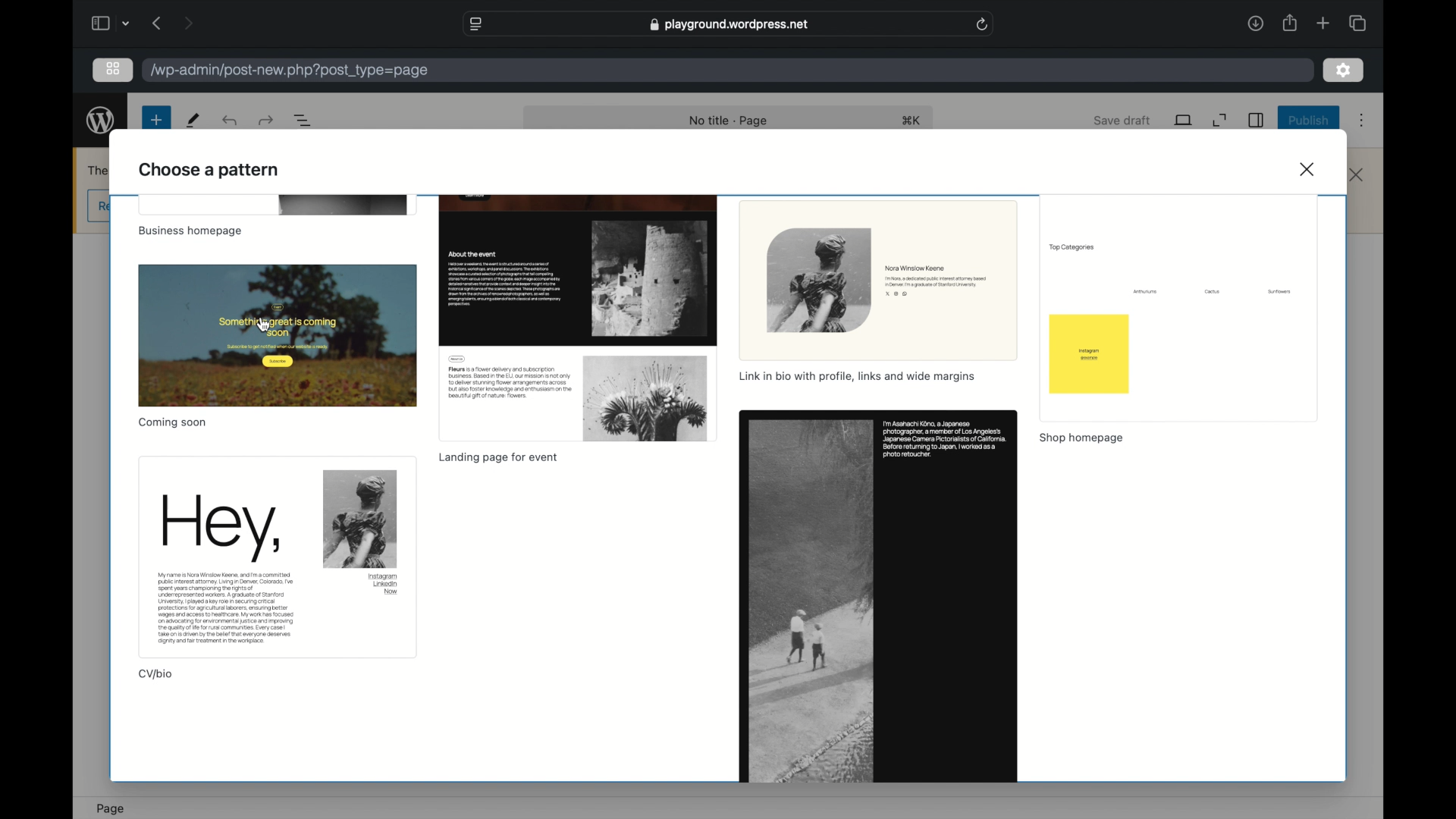 This screenshot has height=819, width=1456. What do you see at coordinates (1309, 168) in the screenshot?
I see `close` at bounding box center [1309, 168].